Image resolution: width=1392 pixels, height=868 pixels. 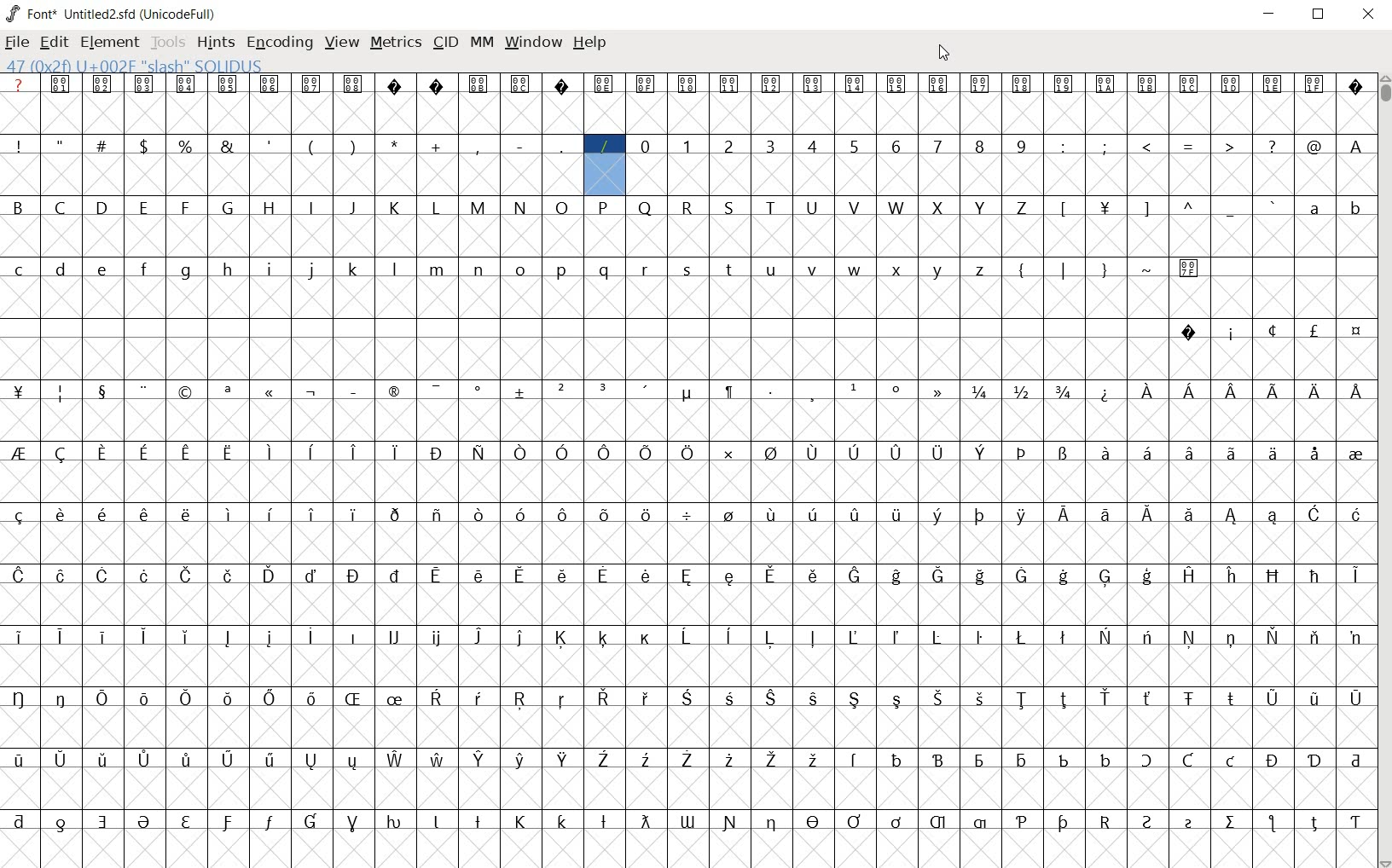 I want to click on glyph, so click(x=228, y=206).